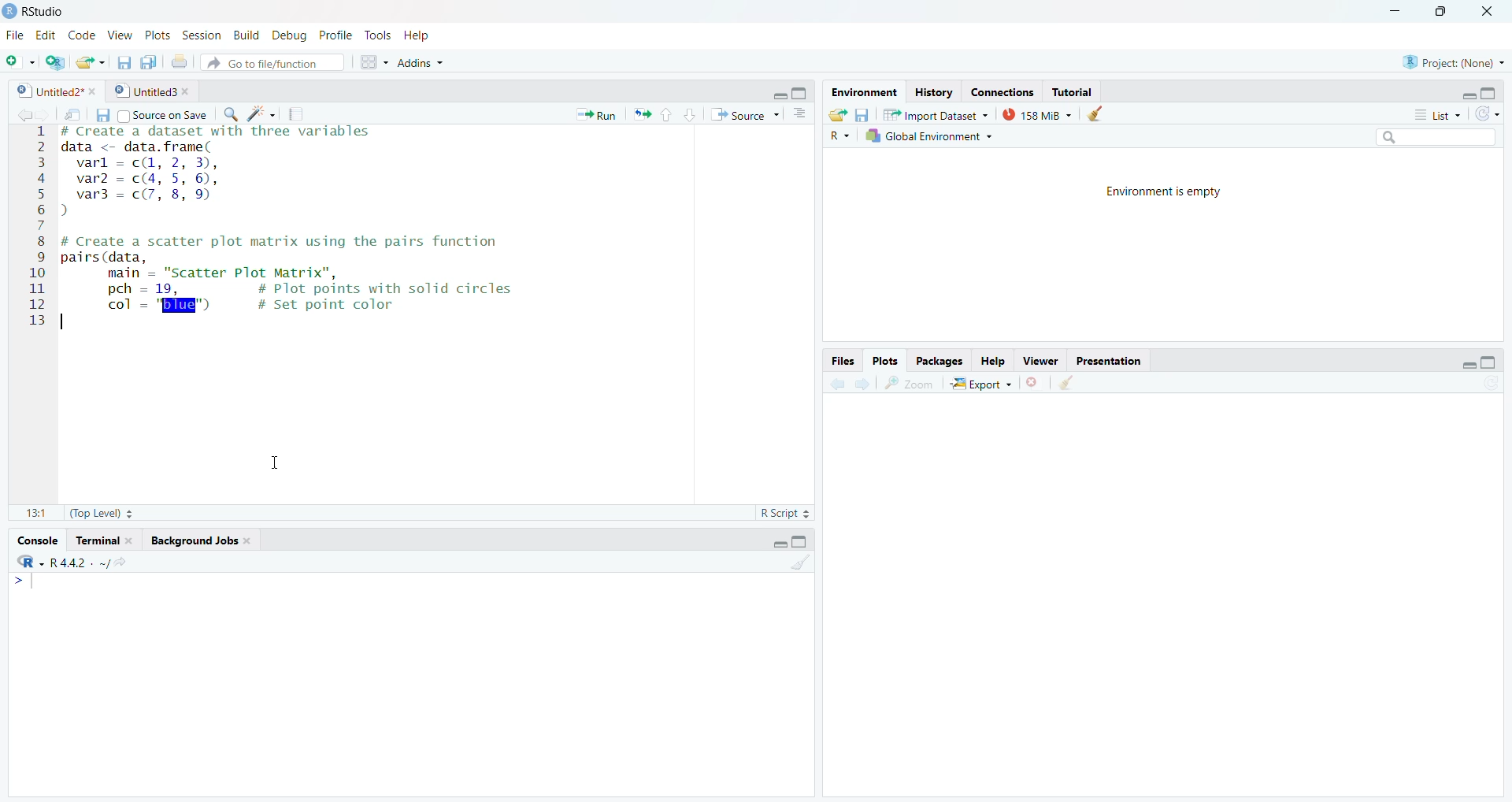 This screenshot has height=802, width=1512. I want to click on 156 mb, so click(1038, 114).